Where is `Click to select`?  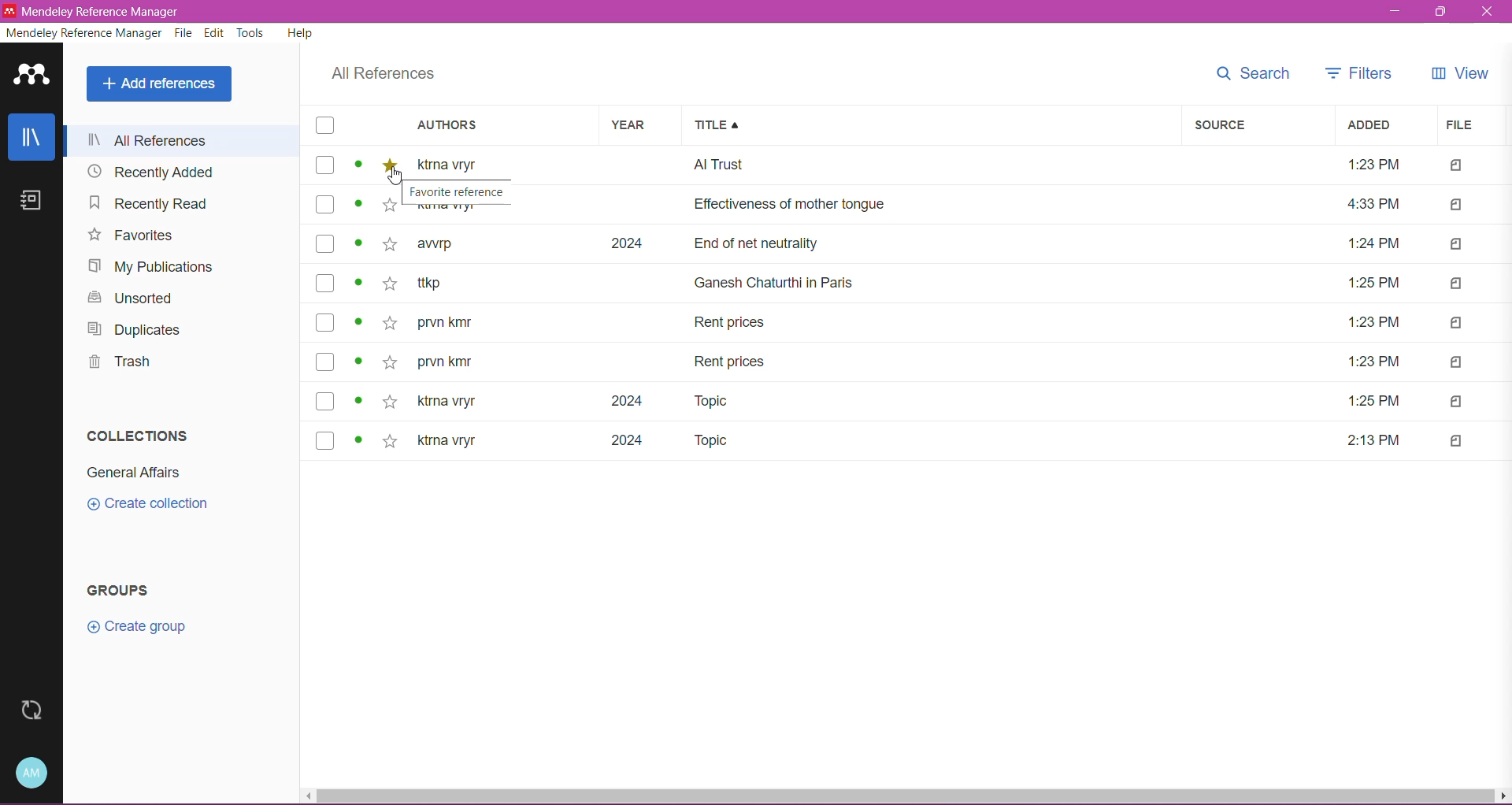
Click to select is located at coordinates (326, 441).